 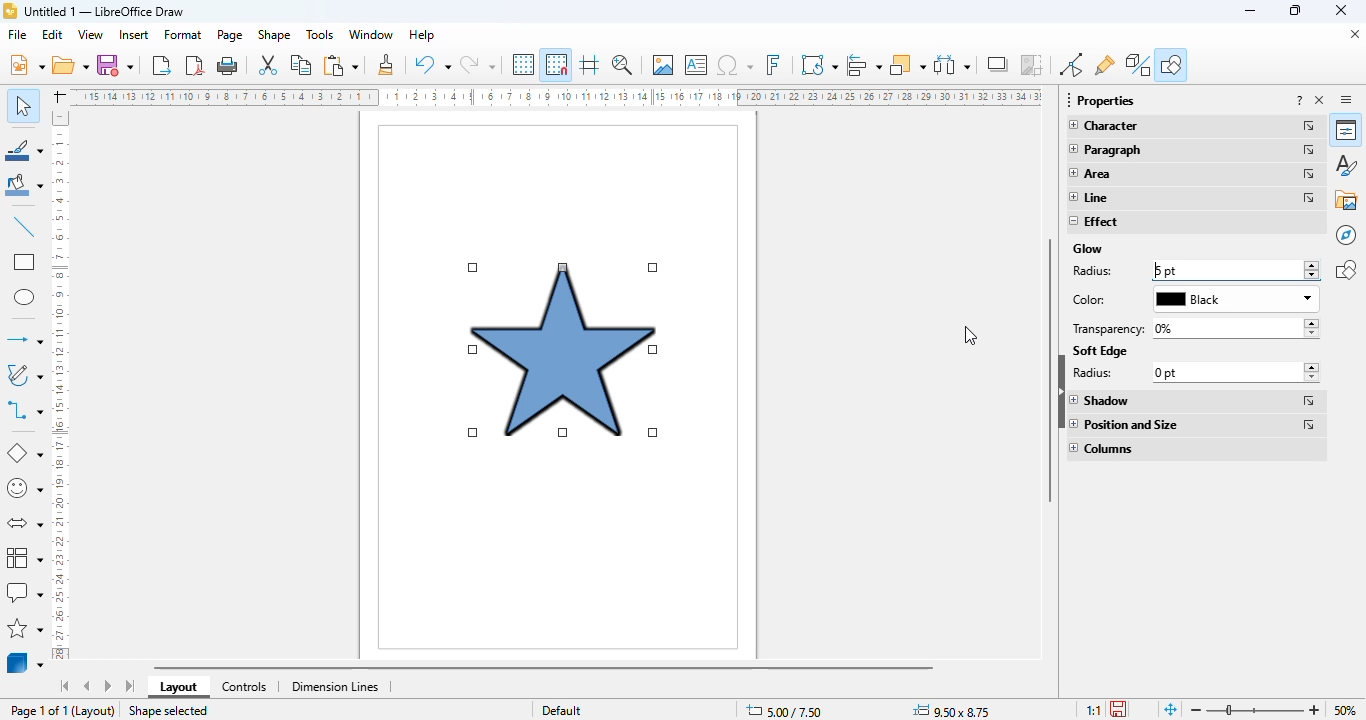 I want to click on 0%, so click(x=1241, y=329).